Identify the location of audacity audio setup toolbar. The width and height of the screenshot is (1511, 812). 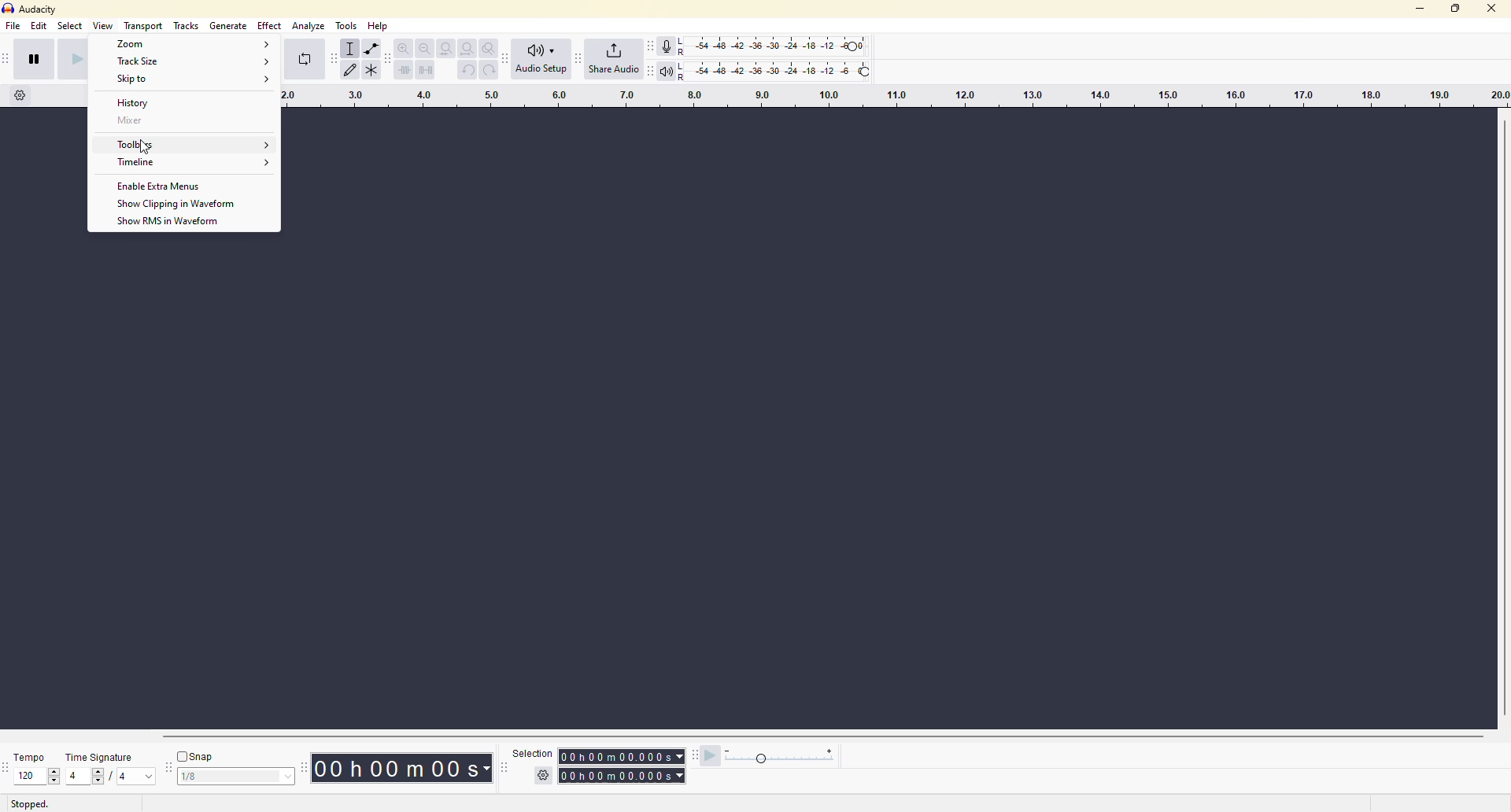
(507, 58).